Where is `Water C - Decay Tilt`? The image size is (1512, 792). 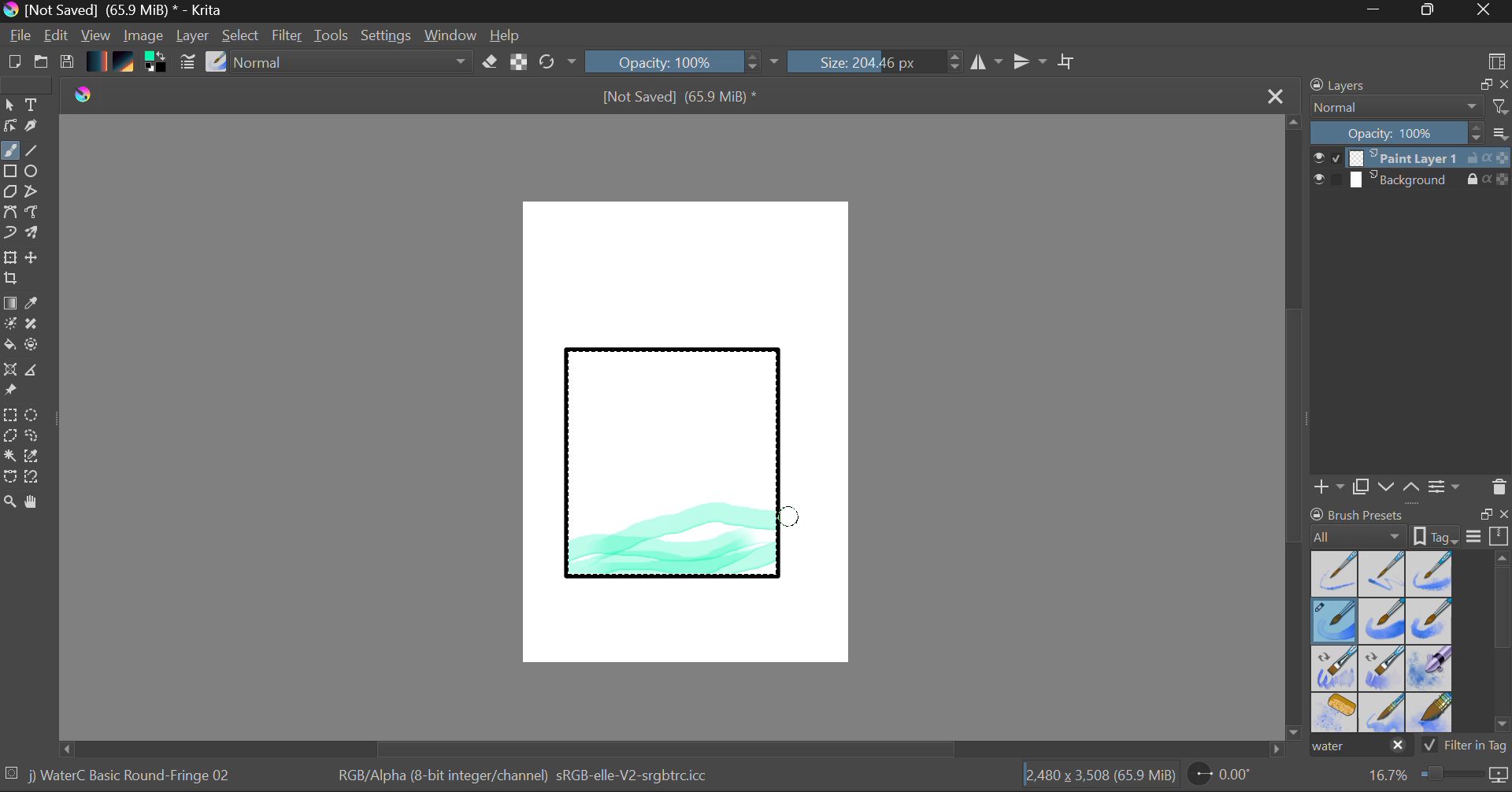 Water C - Decay Tilt is located at coordinates (1382, 667).